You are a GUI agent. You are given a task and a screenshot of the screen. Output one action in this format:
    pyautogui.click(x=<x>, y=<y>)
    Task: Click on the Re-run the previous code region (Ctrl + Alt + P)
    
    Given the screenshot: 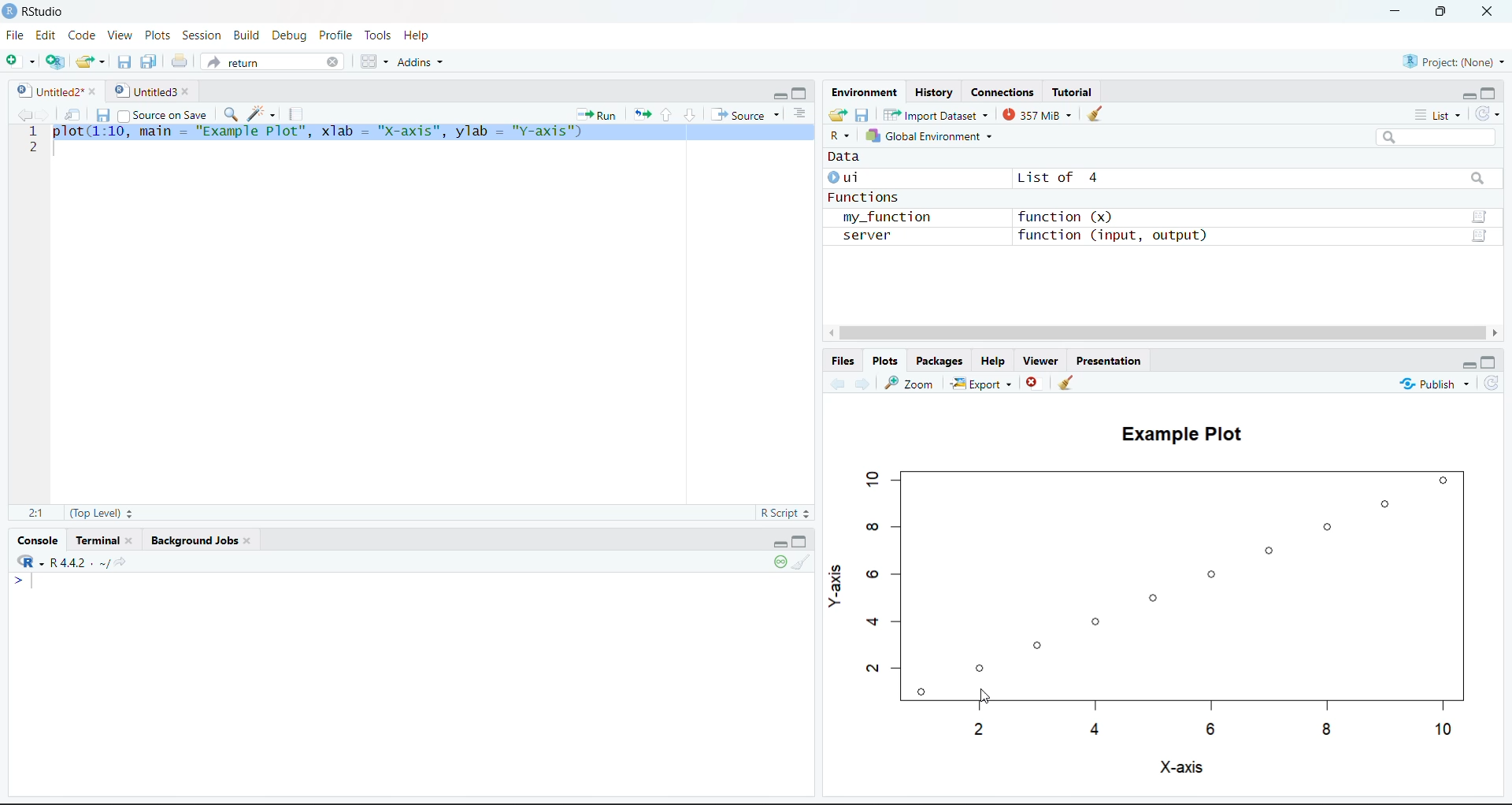 What is the action you would take?
    pyautogui.click(x=640, y=113)
    